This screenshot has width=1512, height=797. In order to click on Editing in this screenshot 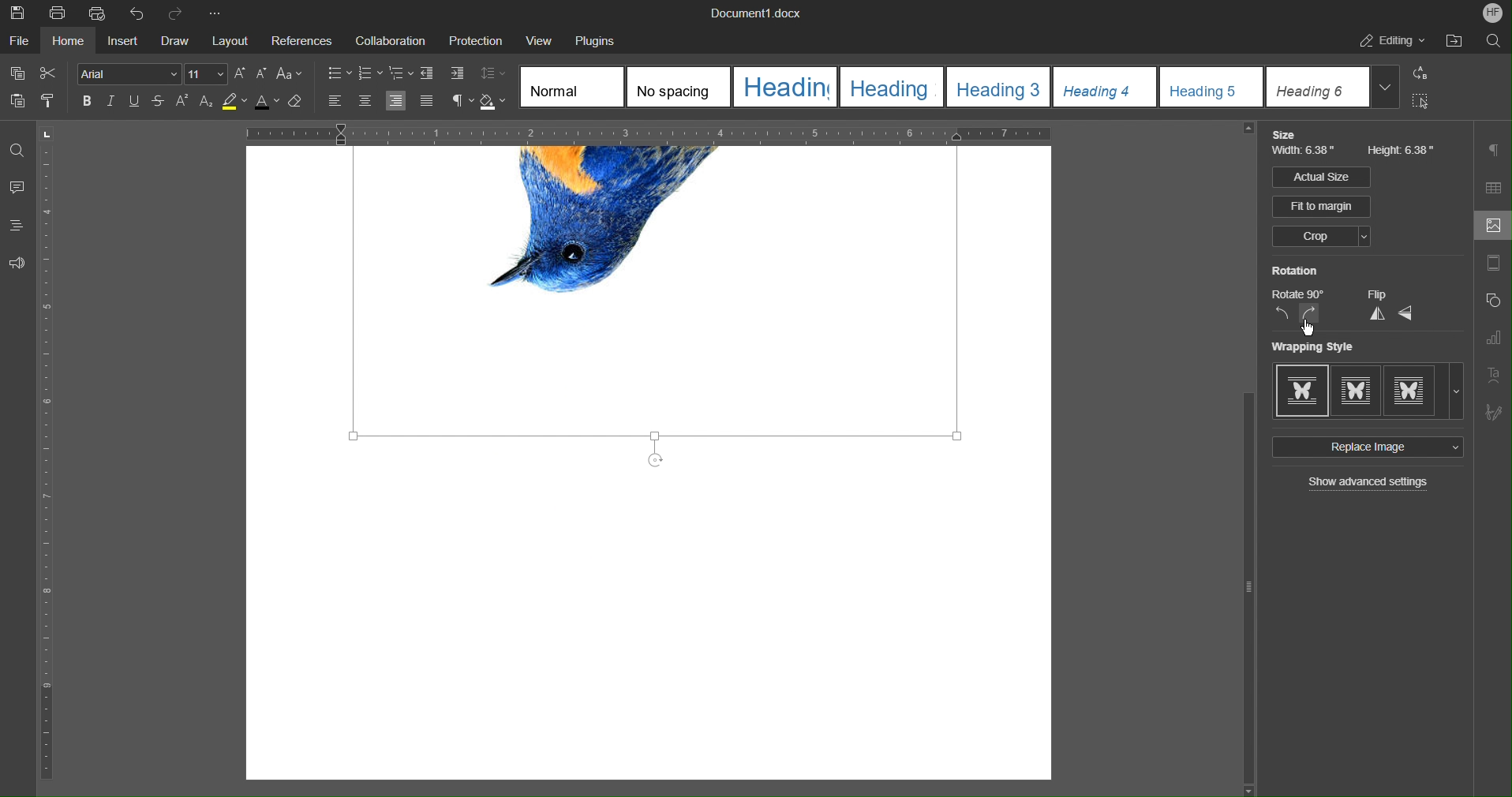, I will do `click(1389, 42)`.